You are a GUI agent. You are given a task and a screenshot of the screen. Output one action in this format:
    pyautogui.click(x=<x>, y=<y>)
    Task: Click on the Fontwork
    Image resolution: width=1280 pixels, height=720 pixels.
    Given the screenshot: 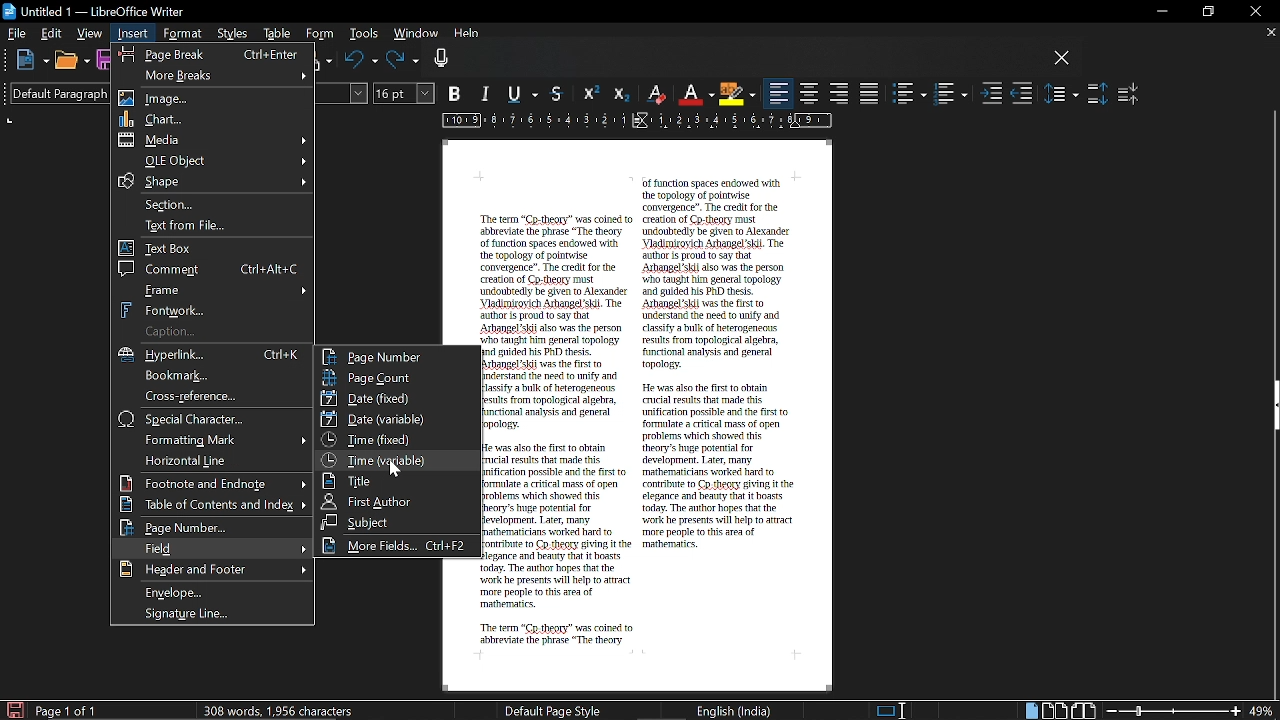 What is the action you would take?
    pyautogui.click(x=215, y=309)
    